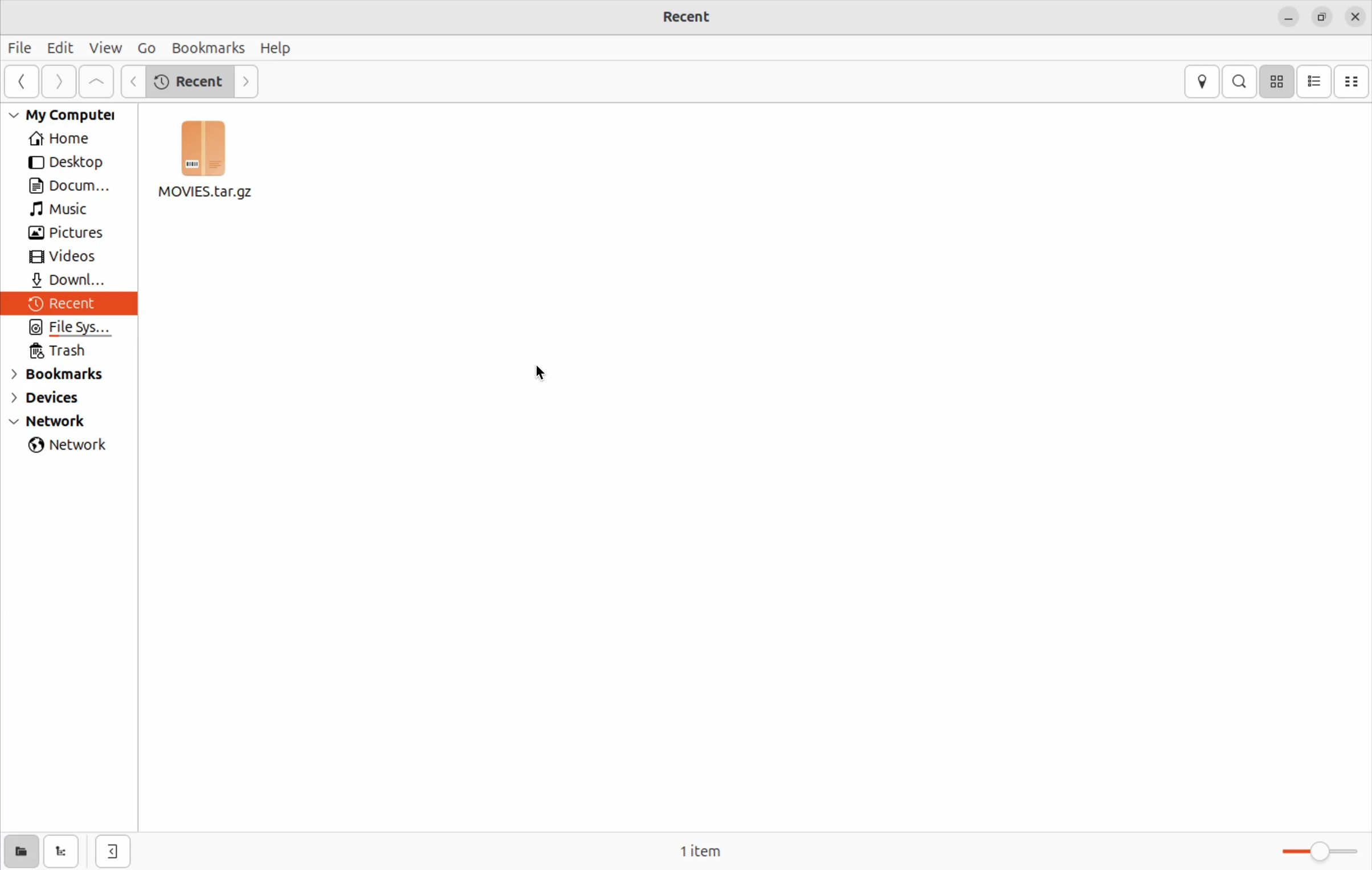 This screenshot has width=1372, height=870. Describe the element at coordinates (73, 115) in the screenshot. I see `my computer` at that location.